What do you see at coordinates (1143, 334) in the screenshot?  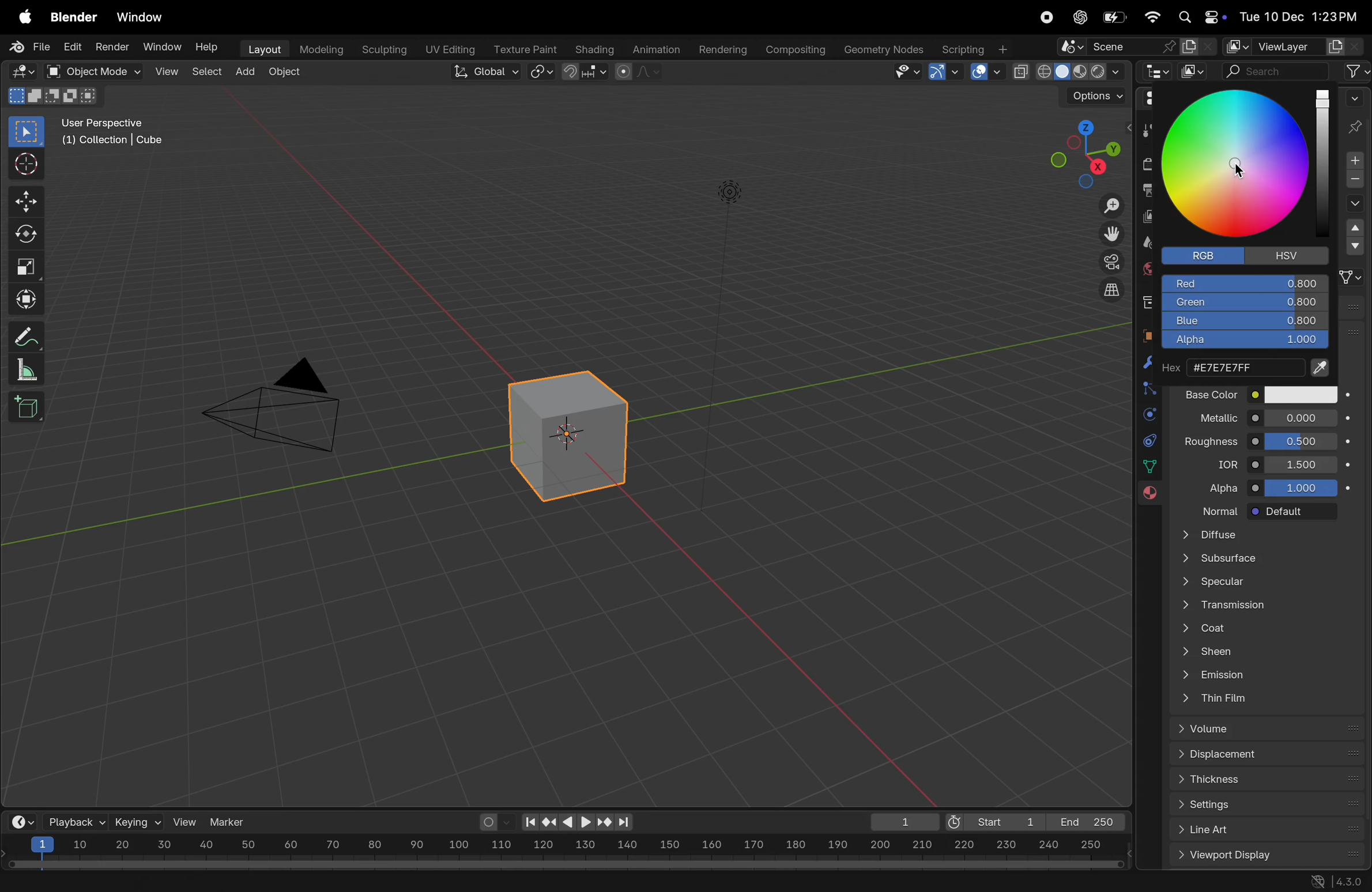 I see `object` at bounding box center [1143, 334].